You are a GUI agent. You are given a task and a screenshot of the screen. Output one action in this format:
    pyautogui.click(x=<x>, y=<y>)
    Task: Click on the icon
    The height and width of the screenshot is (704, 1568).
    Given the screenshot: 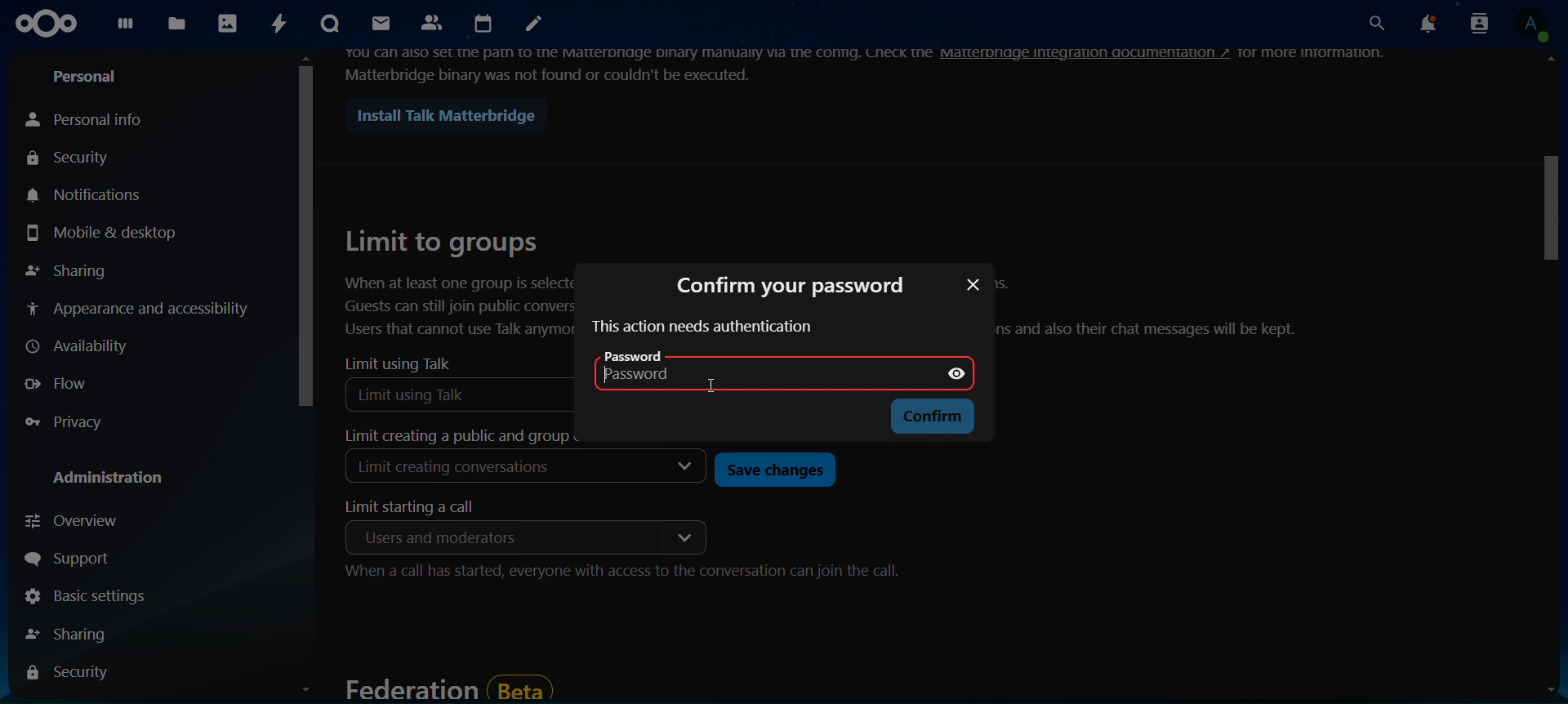 What is the action you would take?
    pyautogui.click(x=48, y=24)
    